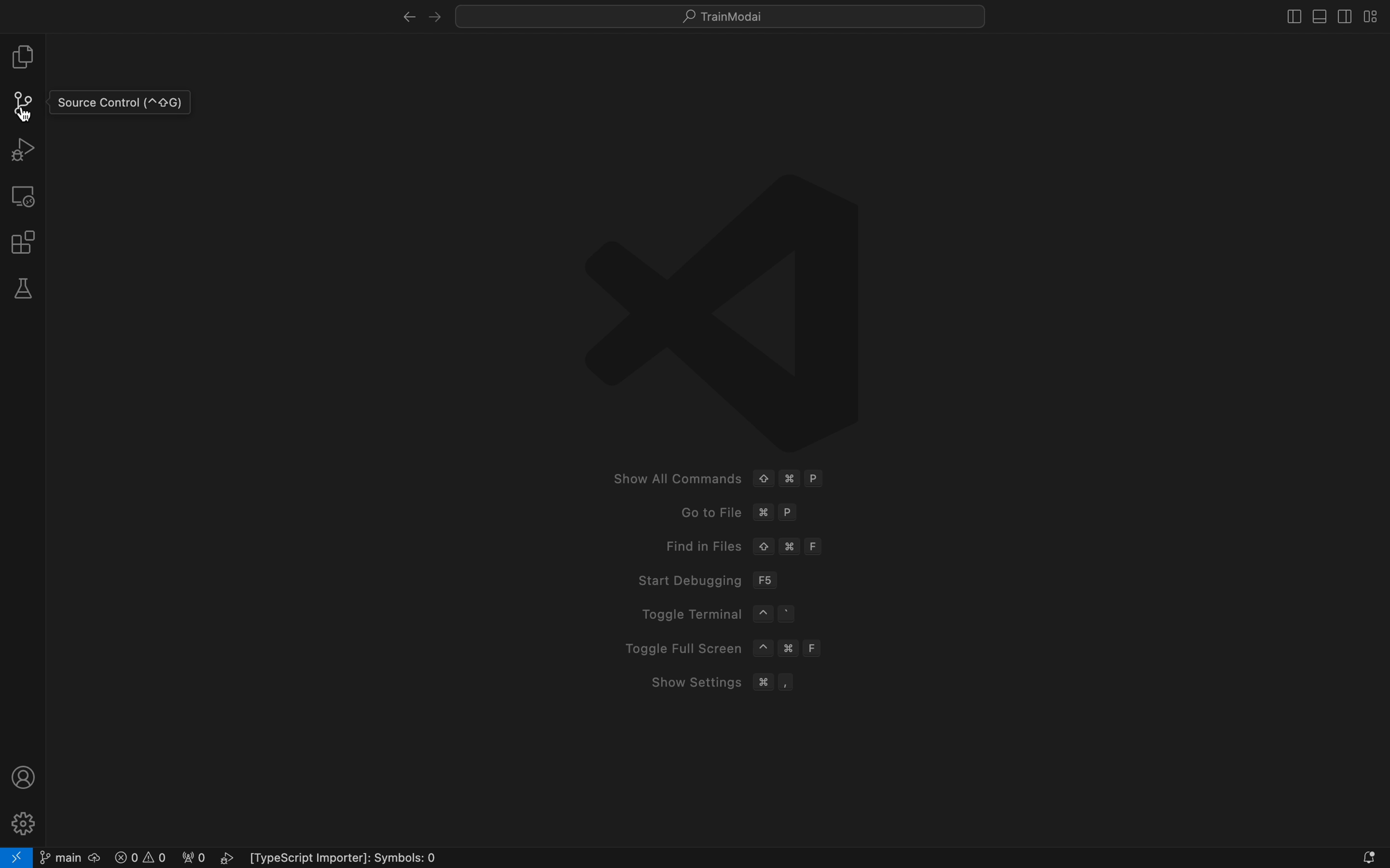 This screenshot has height=868, width=1390. Describe the element at coordinates (17, 857) in the screenshot. I see `remote open` at that location.